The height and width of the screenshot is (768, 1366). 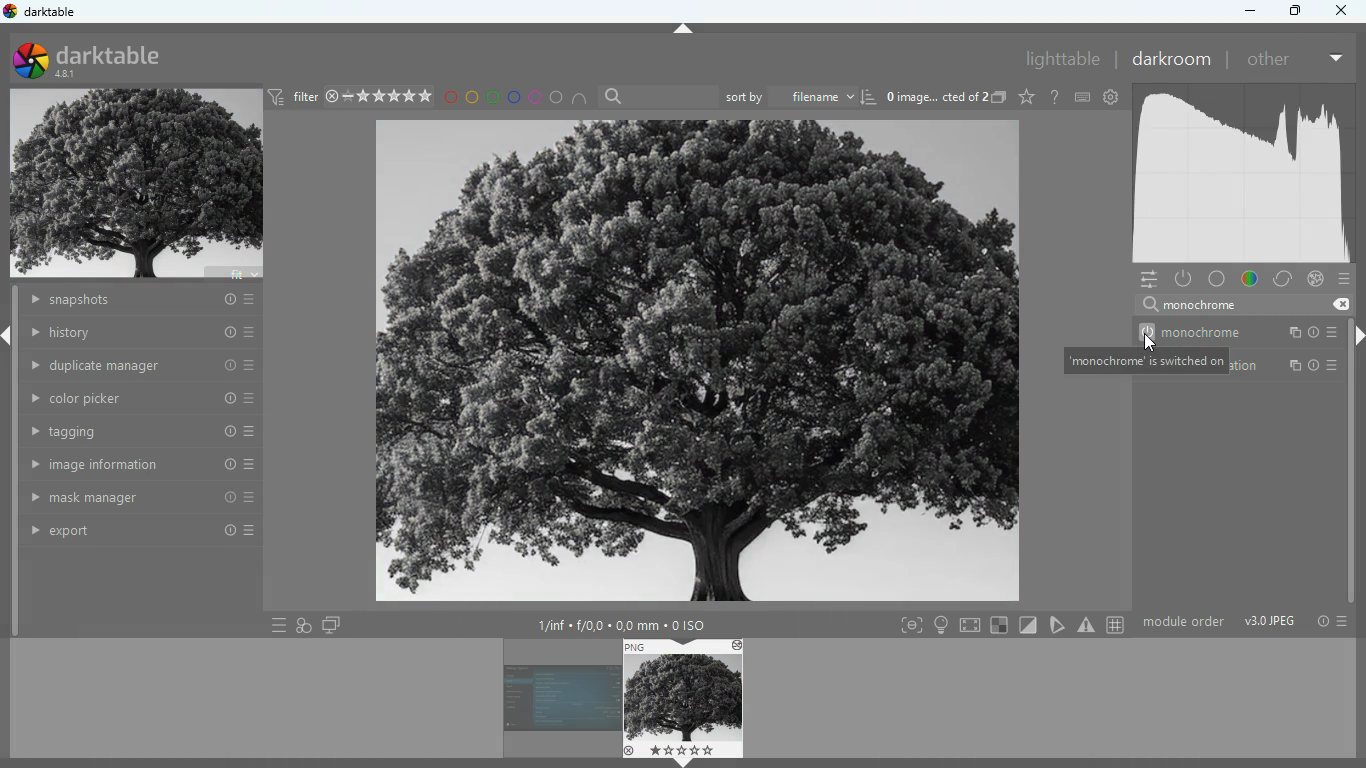 I want to click on color, so click(x=1245, y=279).